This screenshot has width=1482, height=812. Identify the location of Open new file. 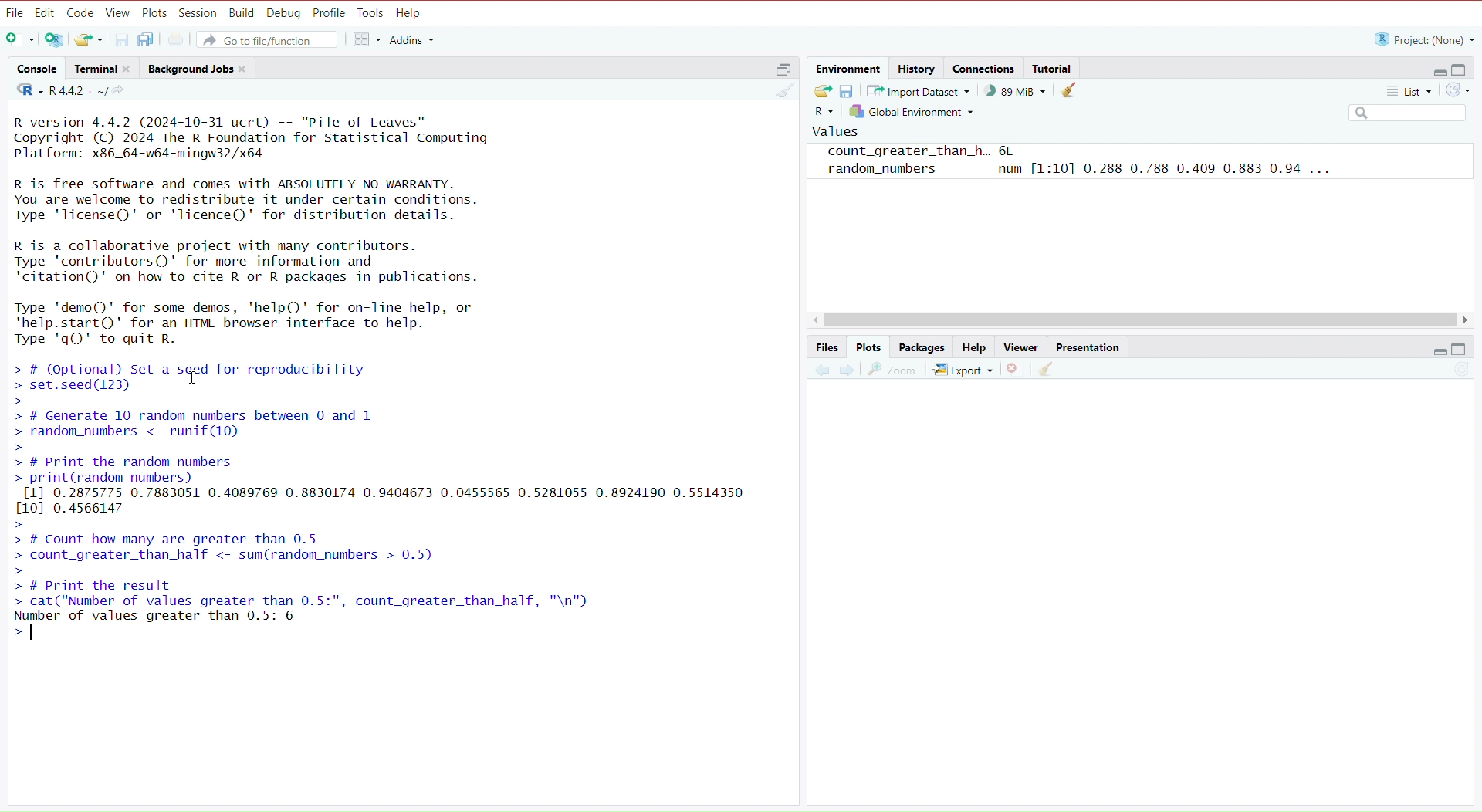
(22, 40).